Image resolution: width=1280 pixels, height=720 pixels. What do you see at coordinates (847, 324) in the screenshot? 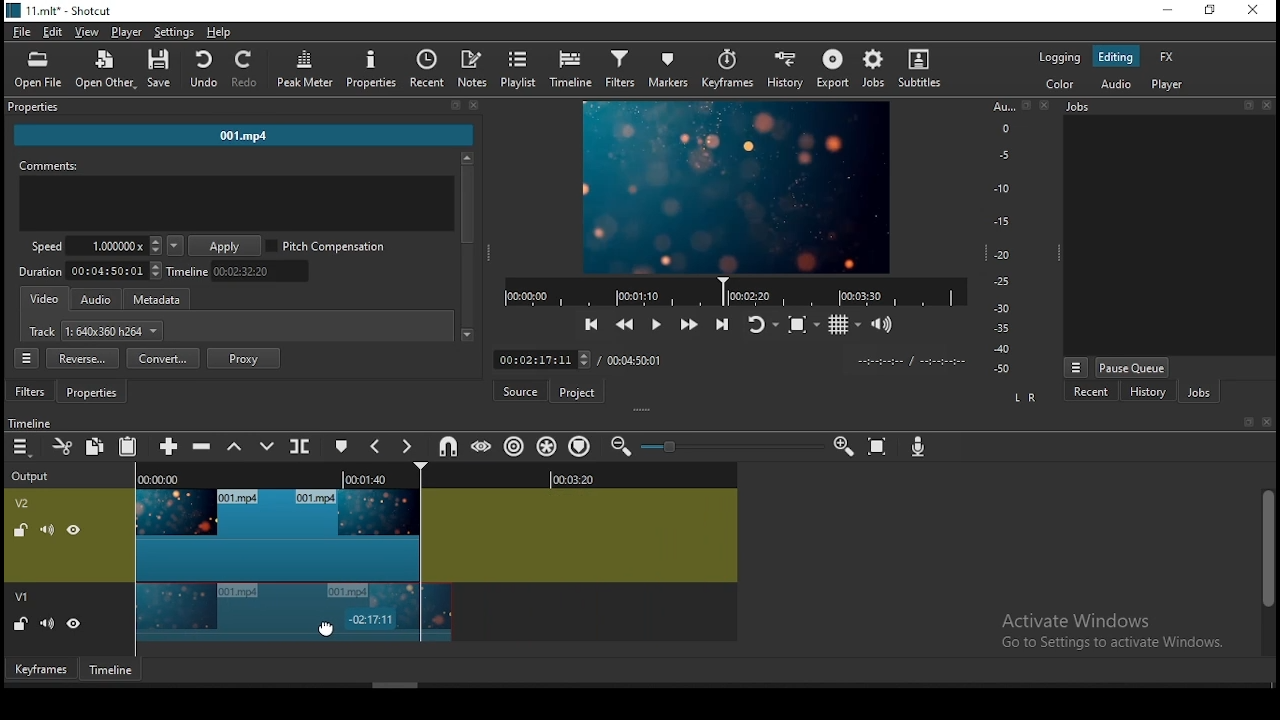
I see `toggle grid display on the player` at bounding box center [847, 324].